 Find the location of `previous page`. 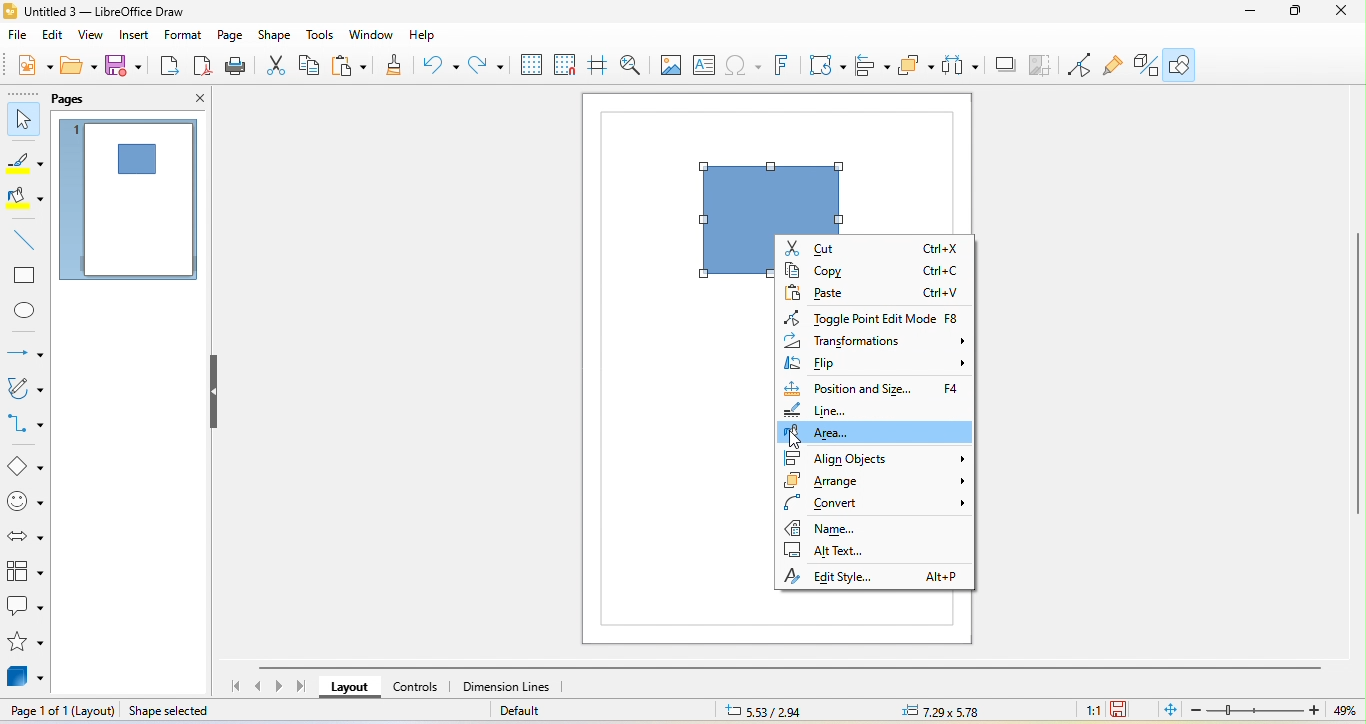

previous page is located at coordinates (257, 686).